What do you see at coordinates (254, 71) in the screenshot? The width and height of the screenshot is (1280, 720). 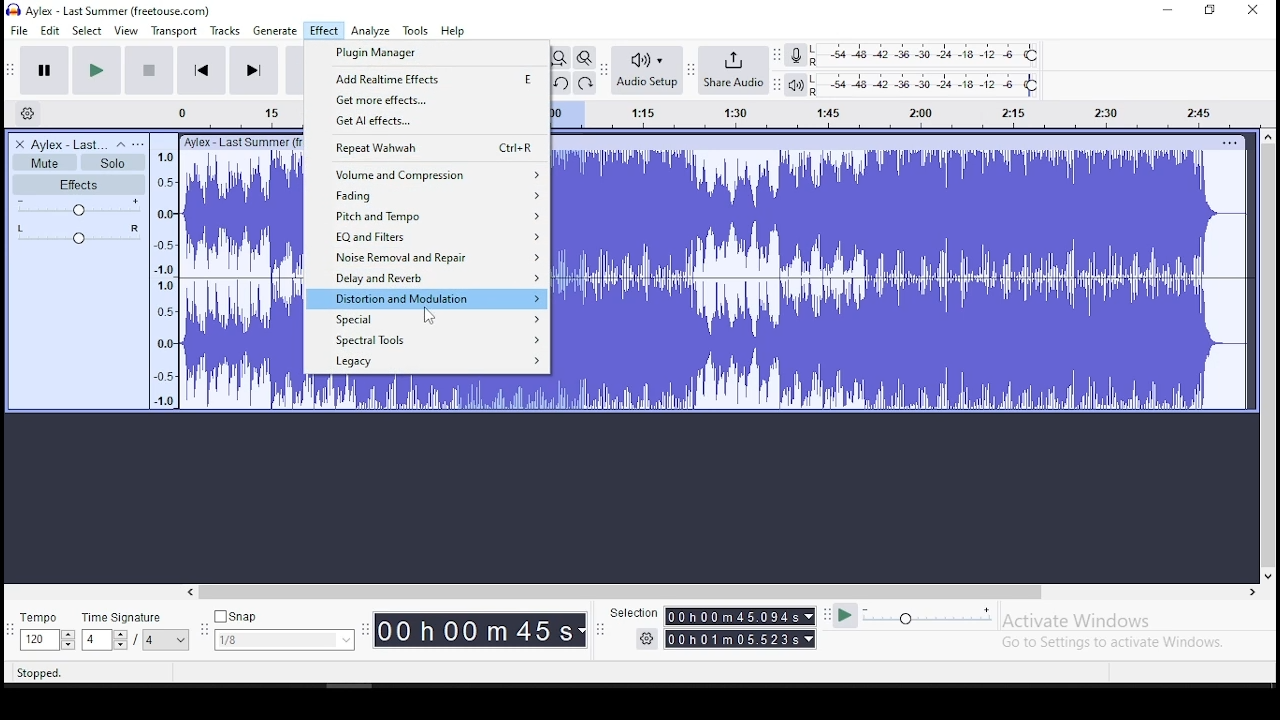 I see `skip to end` at bounding box center [254, 71].